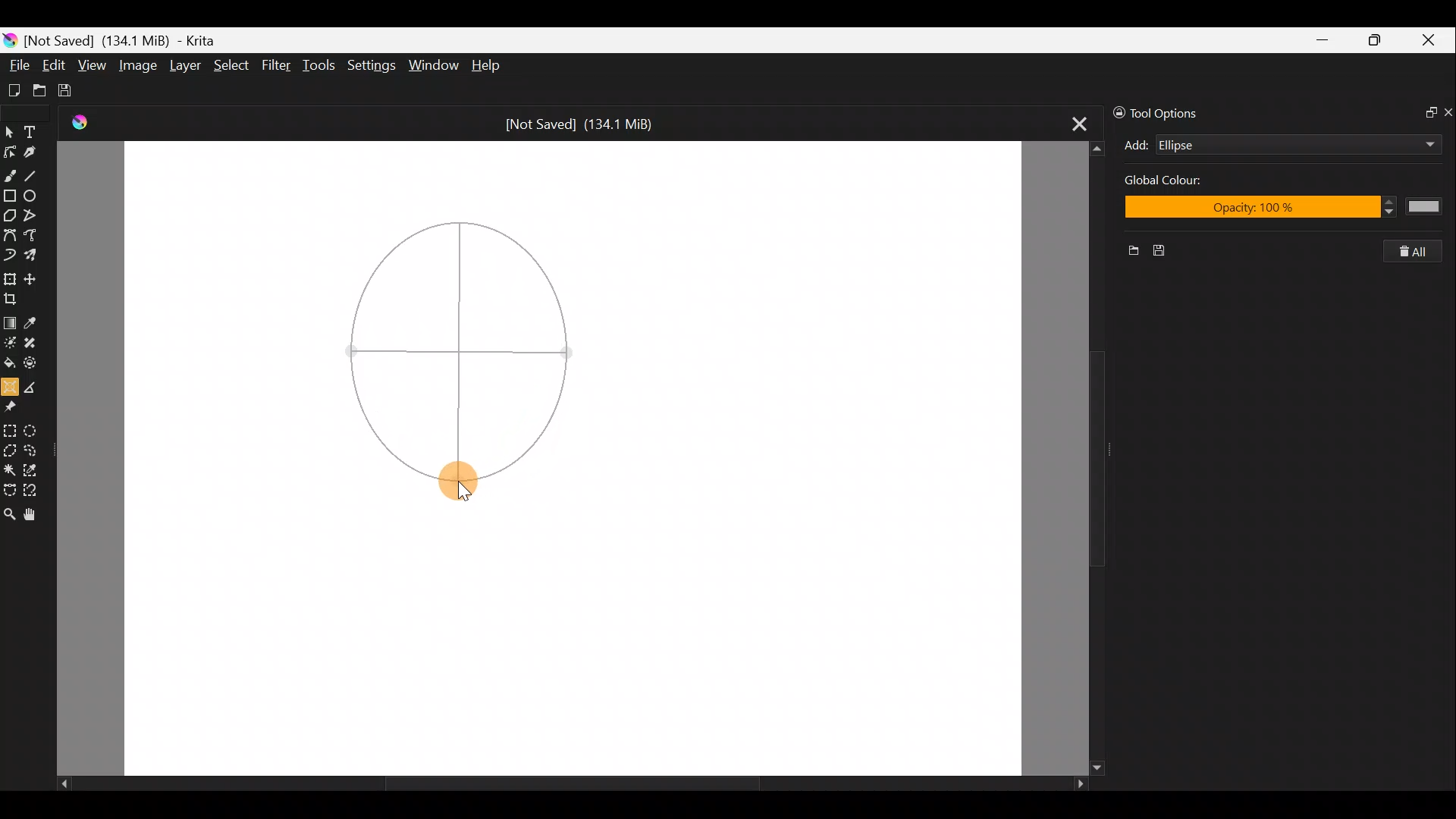 The width and height of the screenshot is (1456, 819). Describe the element at coordinates (9, 196) in the screenshot. I see `Rectangle` at that location.